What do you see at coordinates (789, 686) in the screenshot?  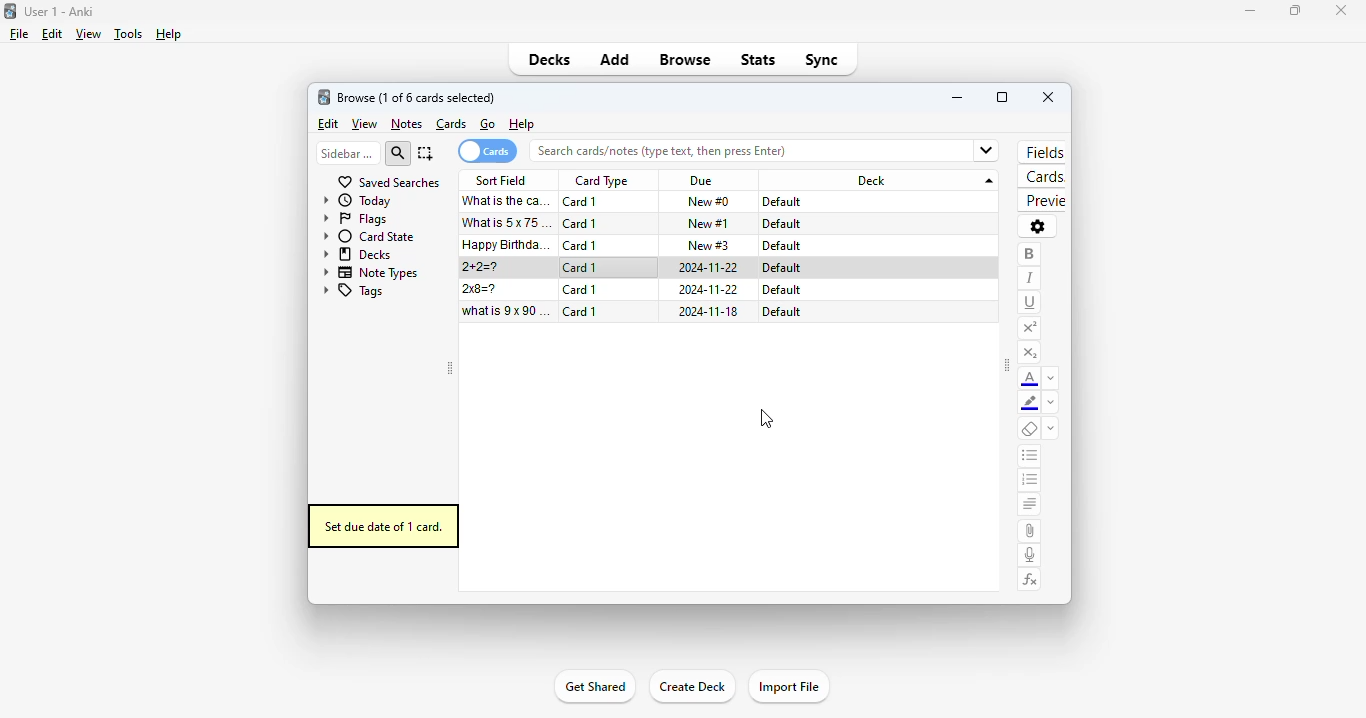 I see `import file` at bounding box center [789, 686].